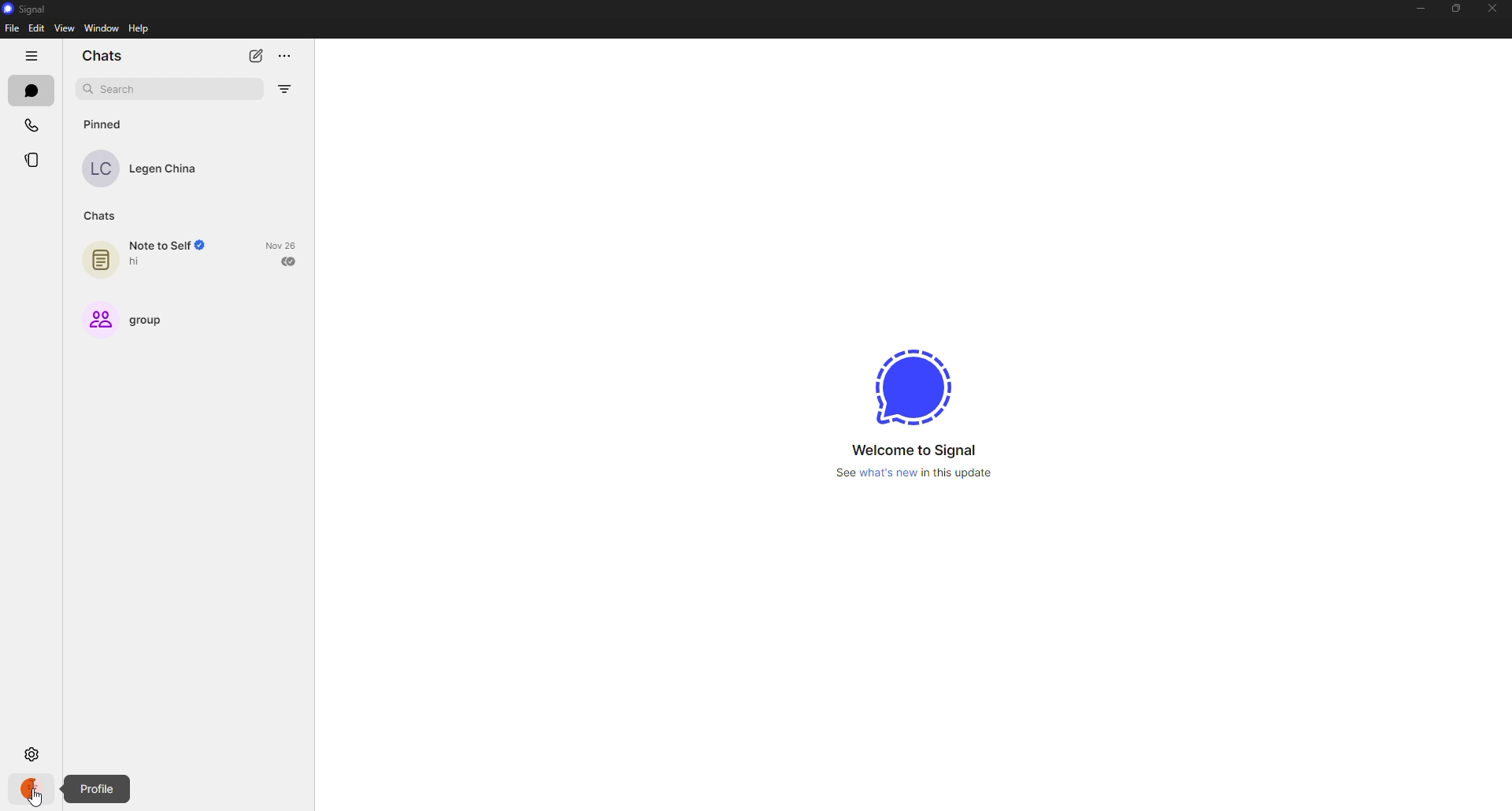  Describe the element at coordinates (291, 261) in the screenshot. I see `sent` at that location.